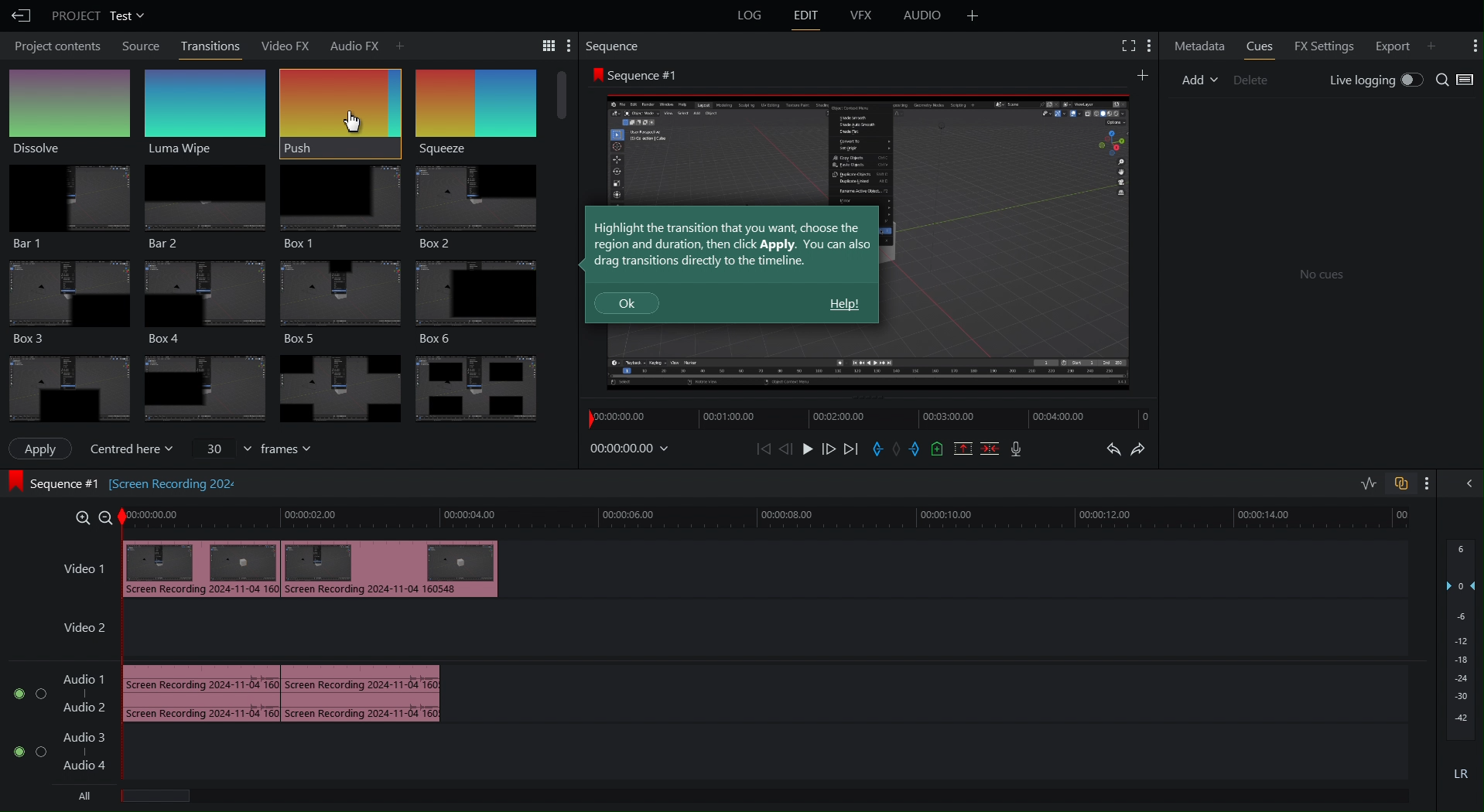 The width and height of the screenshot is (1484, 812). What do you see at coordinates (337, 207) in the screenshot?
I see `Box 1` at bounding box center [337, 207].